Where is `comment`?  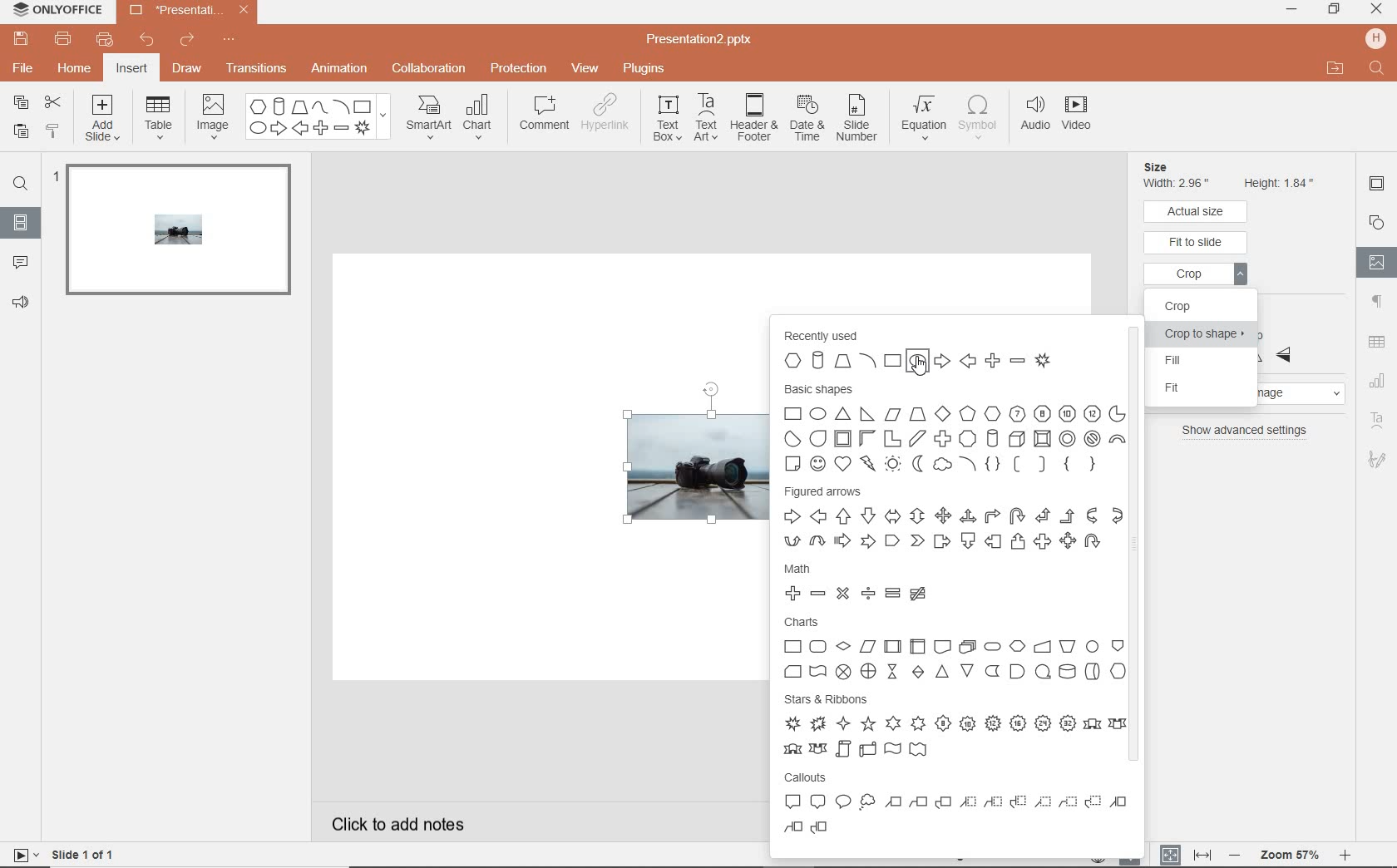
comment is located at coordinates (21, 264).